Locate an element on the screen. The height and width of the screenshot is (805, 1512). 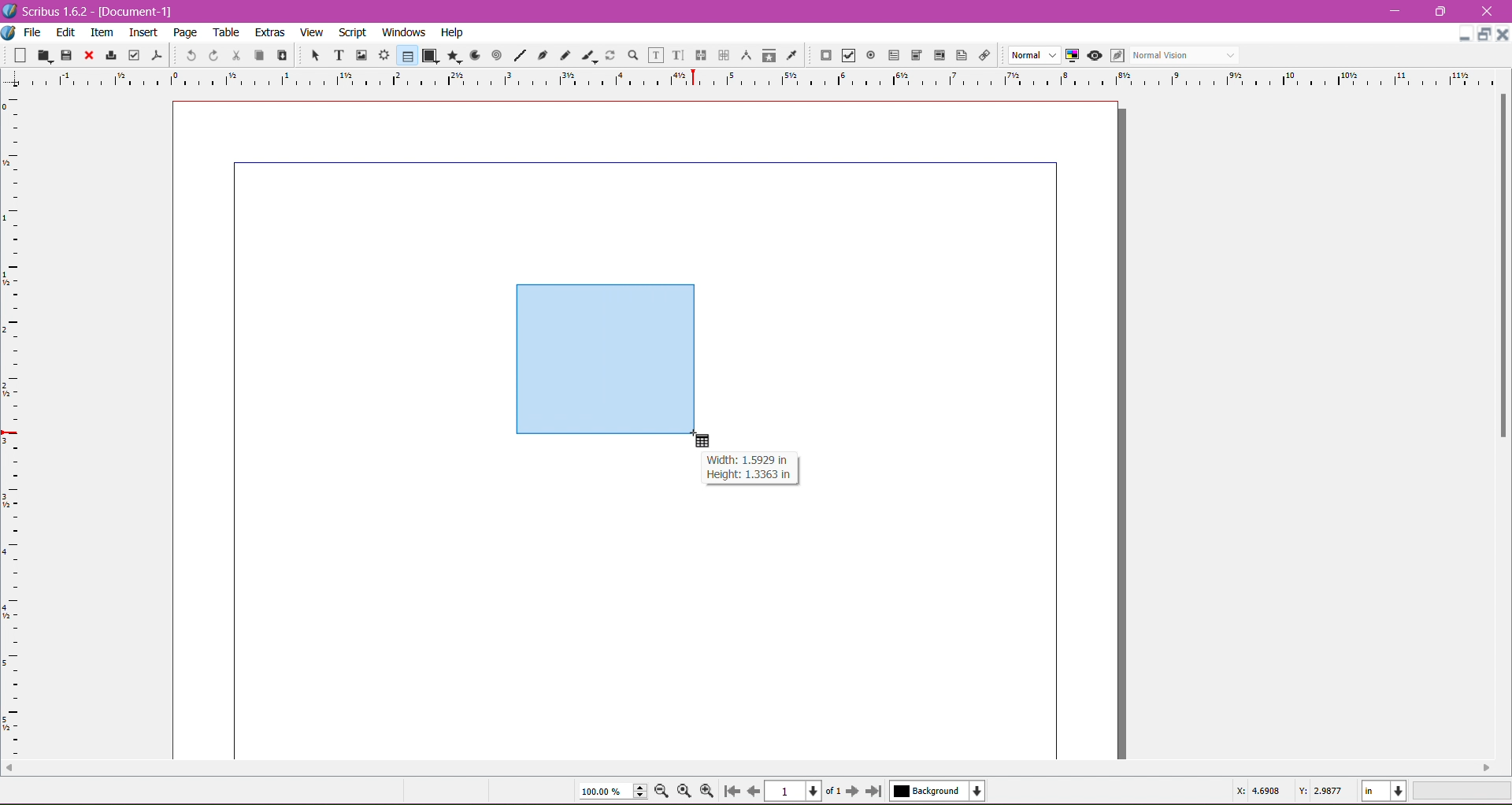
Open is located at coordinates (46, 54).